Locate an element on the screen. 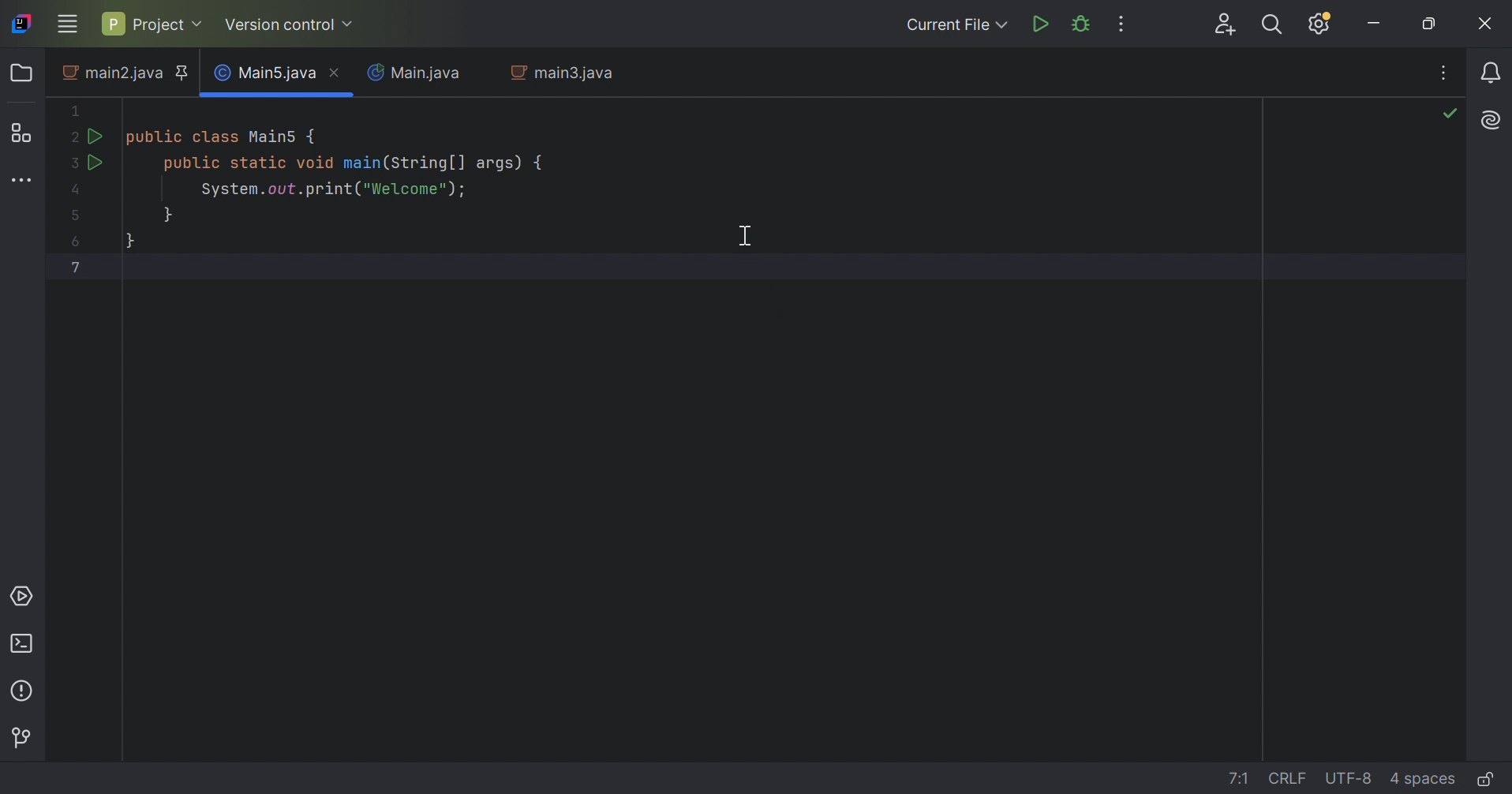 The image size is (1512, 794). Restore down is located at coordinates (1429, 23).